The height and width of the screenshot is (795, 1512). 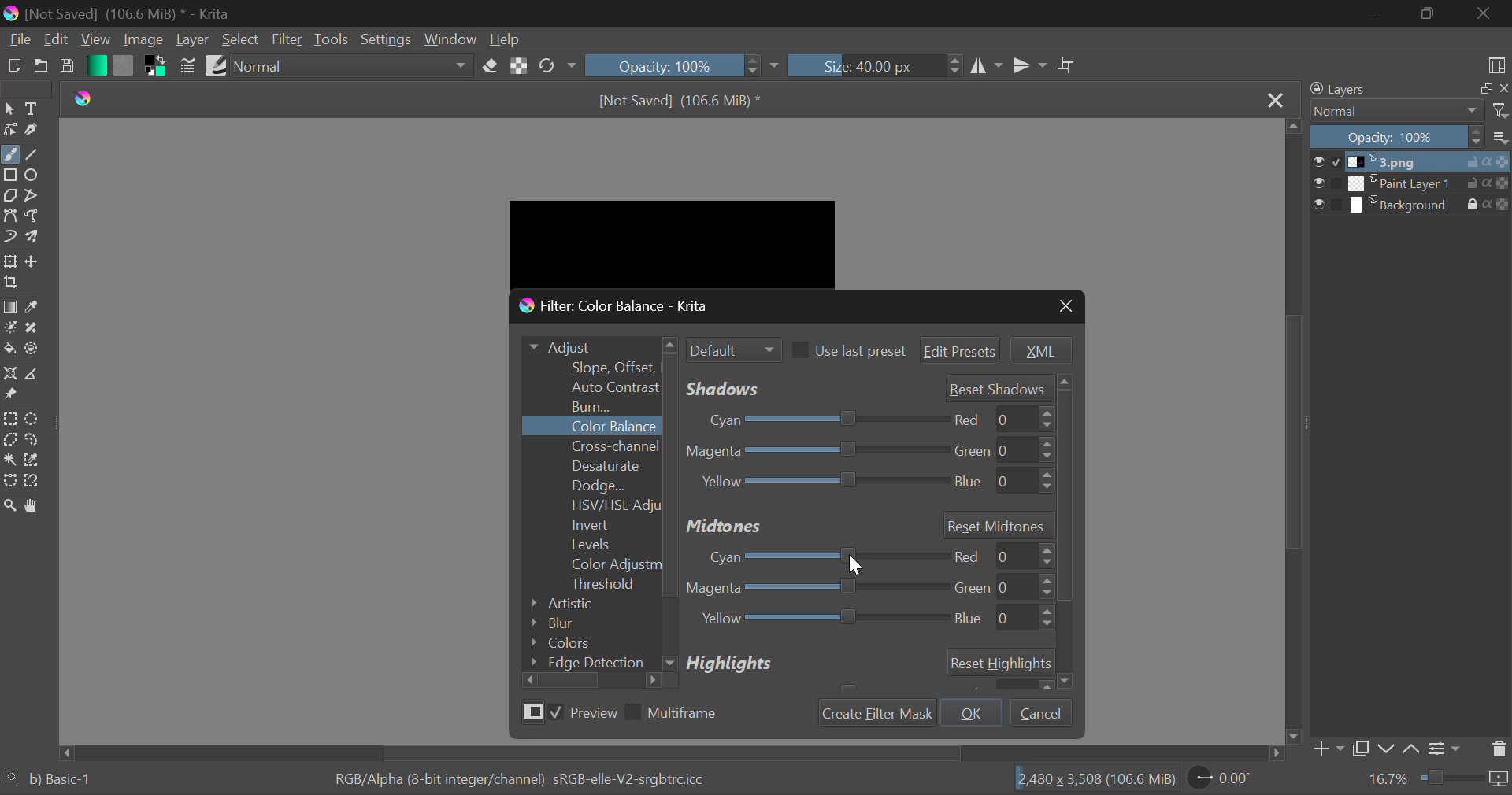 What do you see at coordinates (17, 40) in the screenshot?
I see `File` at bounding box center [17, 40].